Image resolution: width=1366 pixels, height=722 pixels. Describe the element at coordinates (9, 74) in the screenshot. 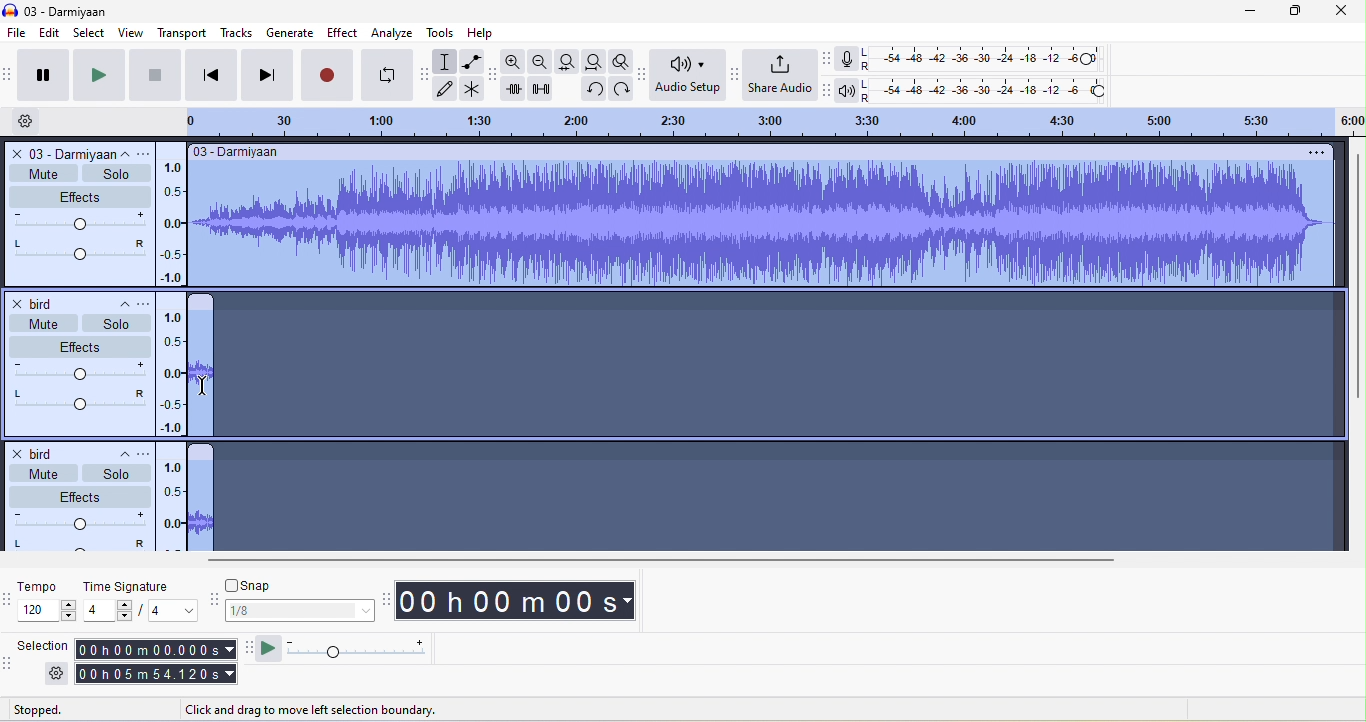

I see `audacity transport toolbar` at that location.